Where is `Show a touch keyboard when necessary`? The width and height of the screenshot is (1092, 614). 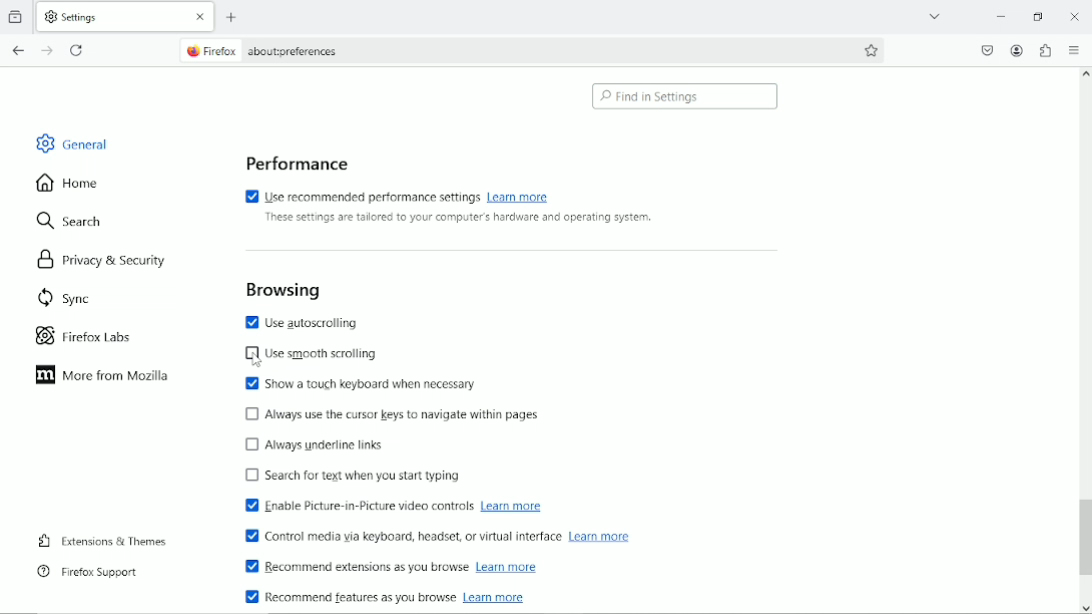
Show a touch keyboard when necessary is located at coordinates (359, 384).